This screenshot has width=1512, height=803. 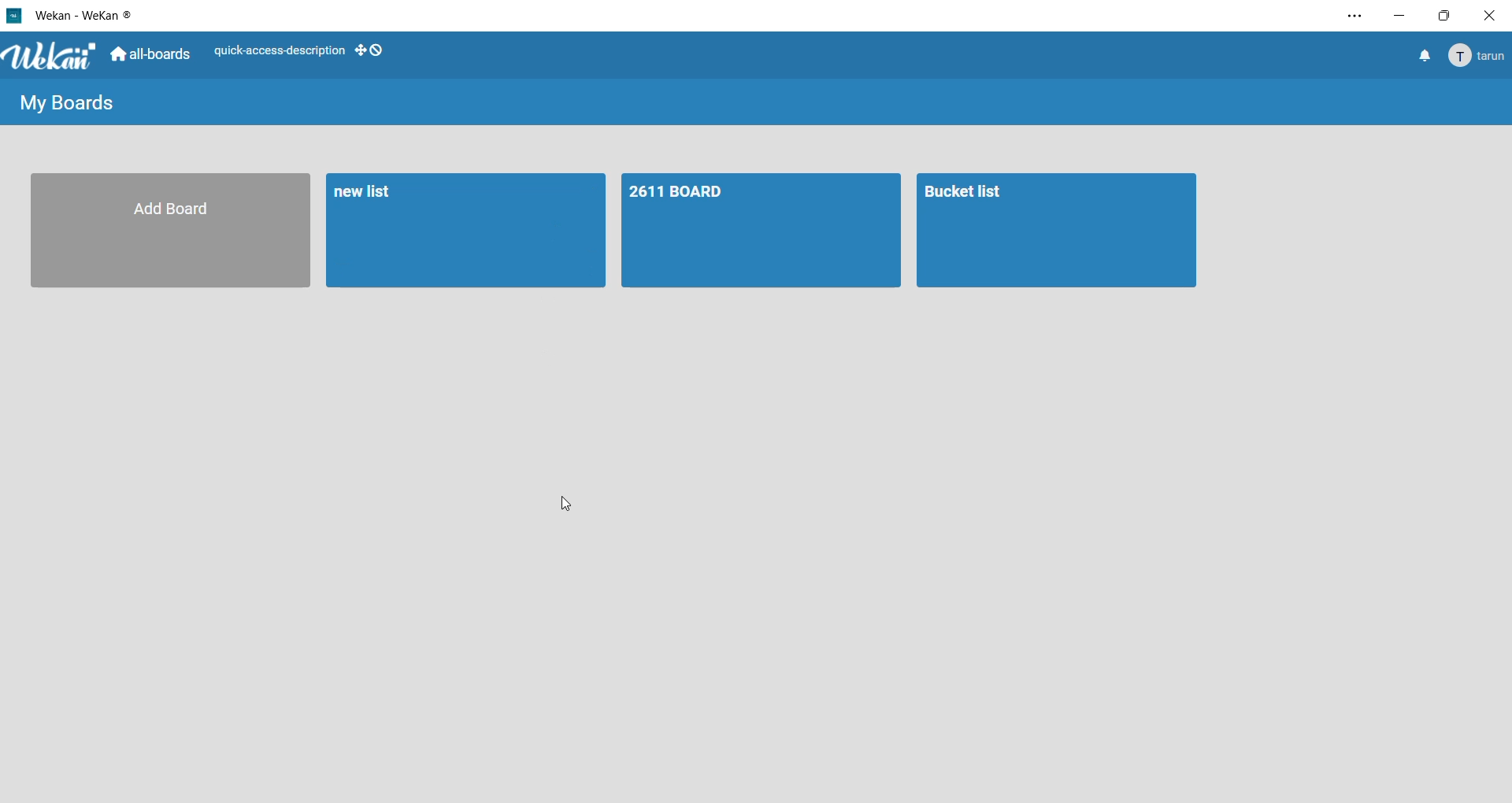 I want to click on quick access description, so click(x=279, y=49).